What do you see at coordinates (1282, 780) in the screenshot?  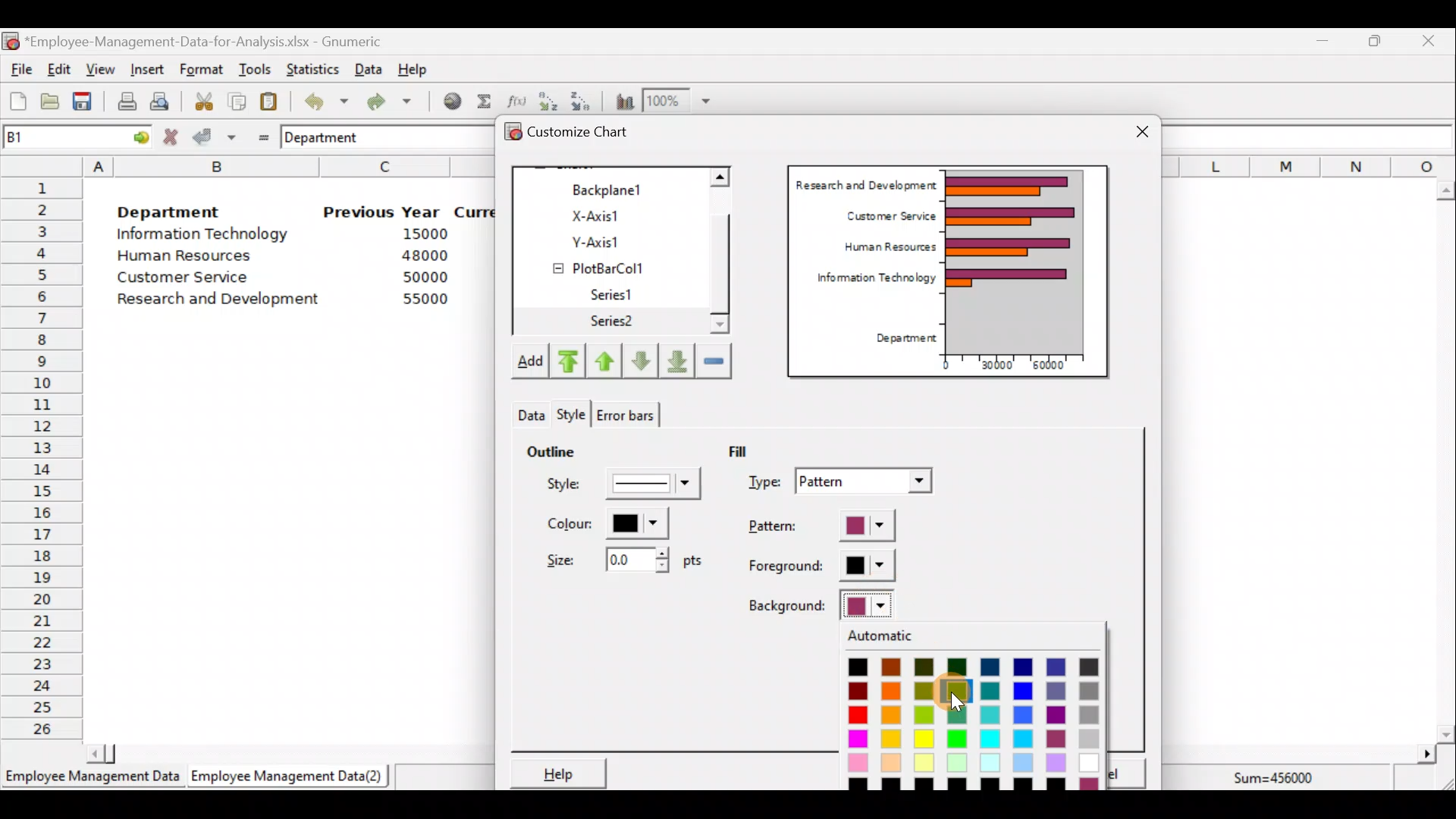 I see `Sum=456000` at bounding box center [1282, 780].